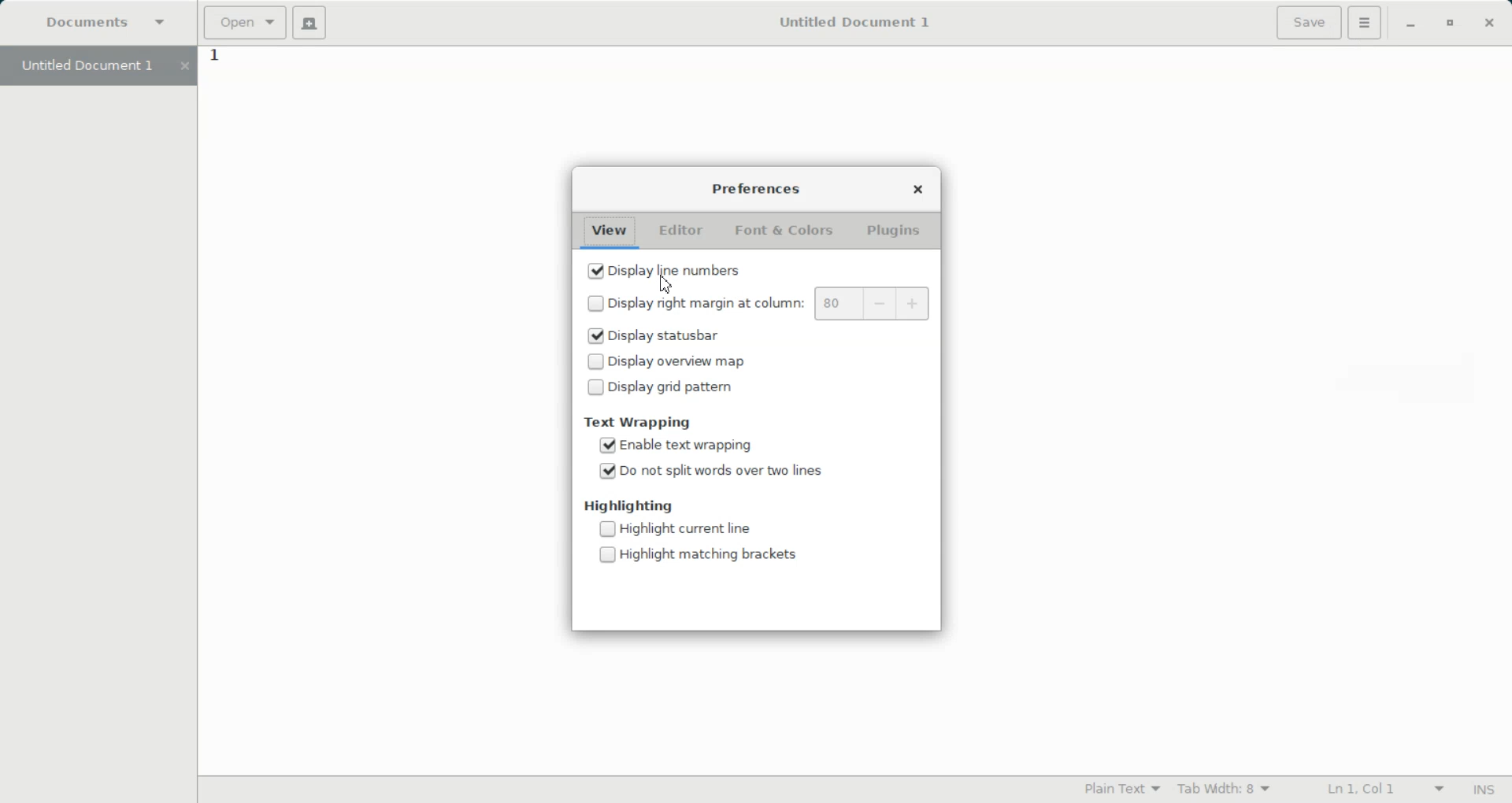  I want to click on Font & Colors, so click(783, 232).